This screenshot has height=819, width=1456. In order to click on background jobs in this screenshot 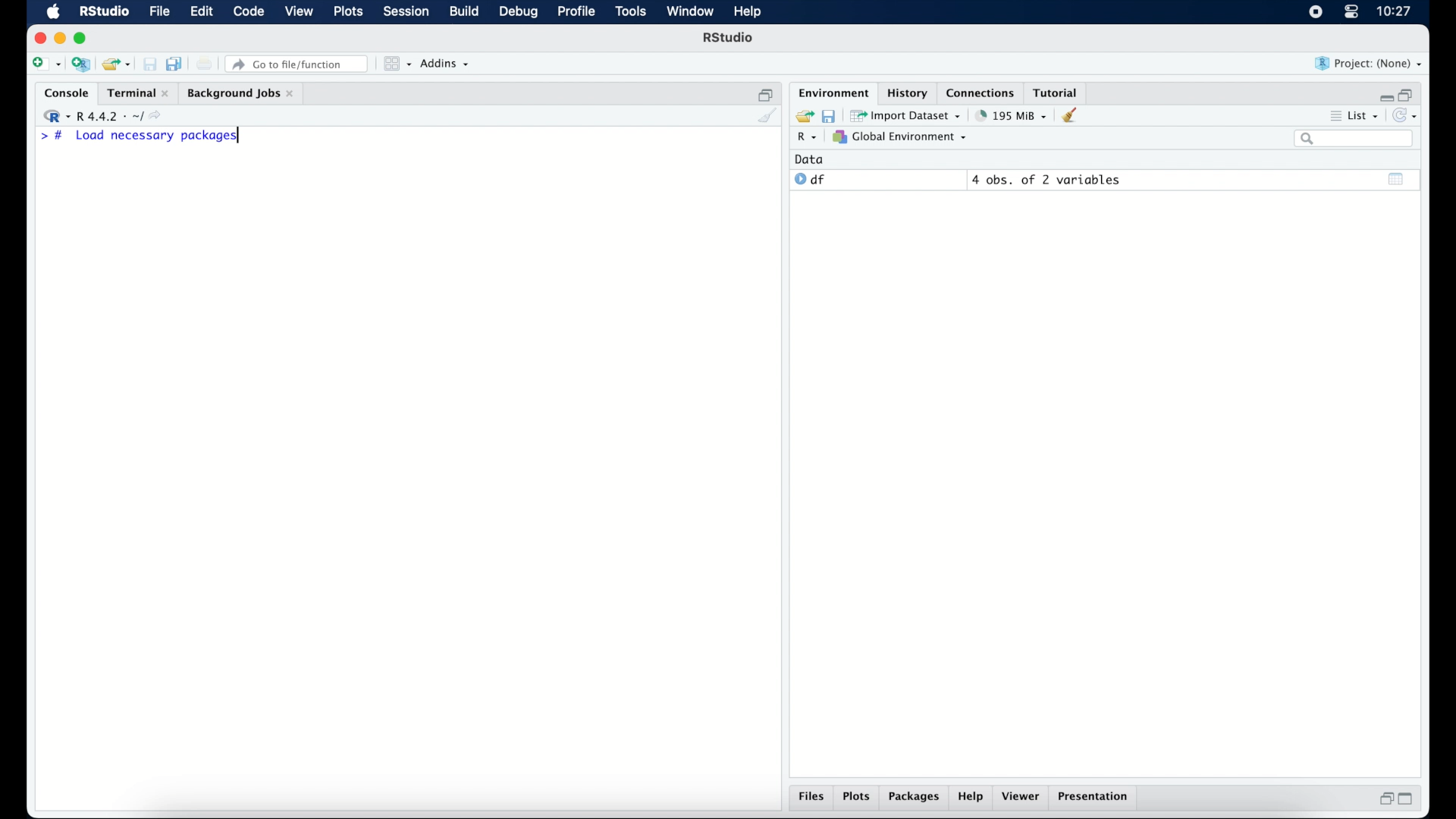, I will do `click(240, 93)`.